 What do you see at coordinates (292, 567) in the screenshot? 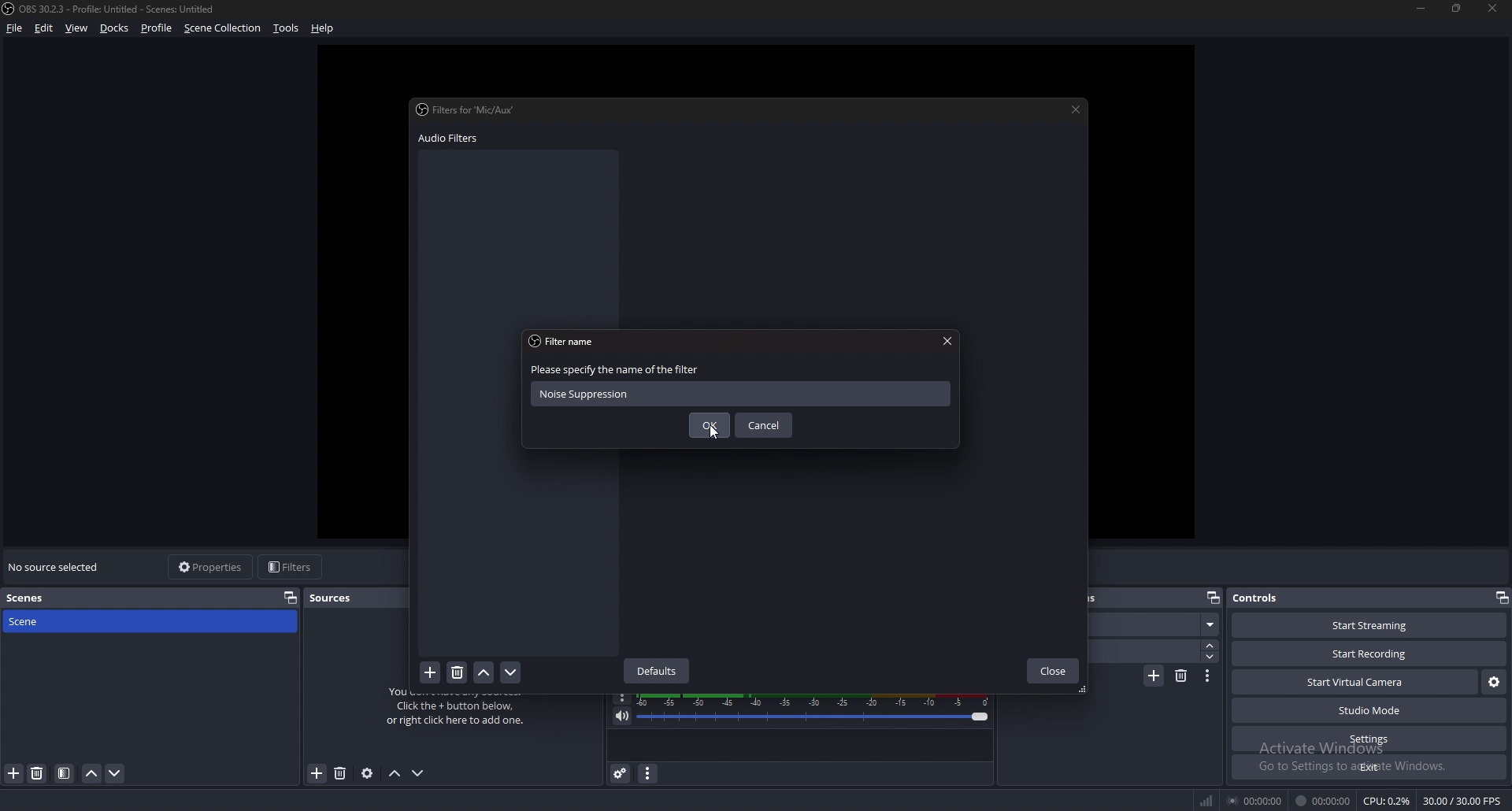
I see `filters` at bounding box center [292, 567].